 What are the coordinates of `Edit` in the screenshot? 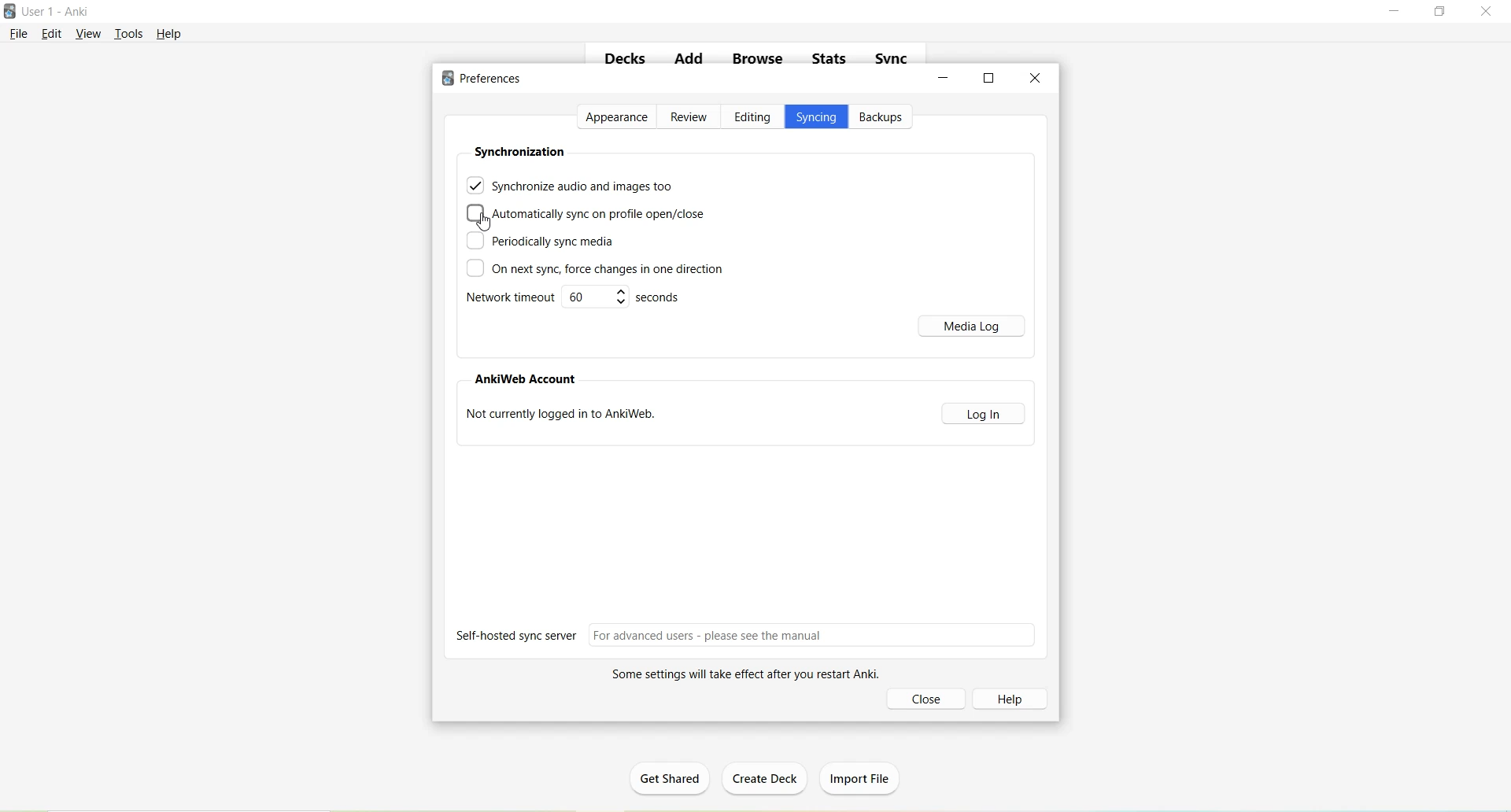 It's located at (54, 34).